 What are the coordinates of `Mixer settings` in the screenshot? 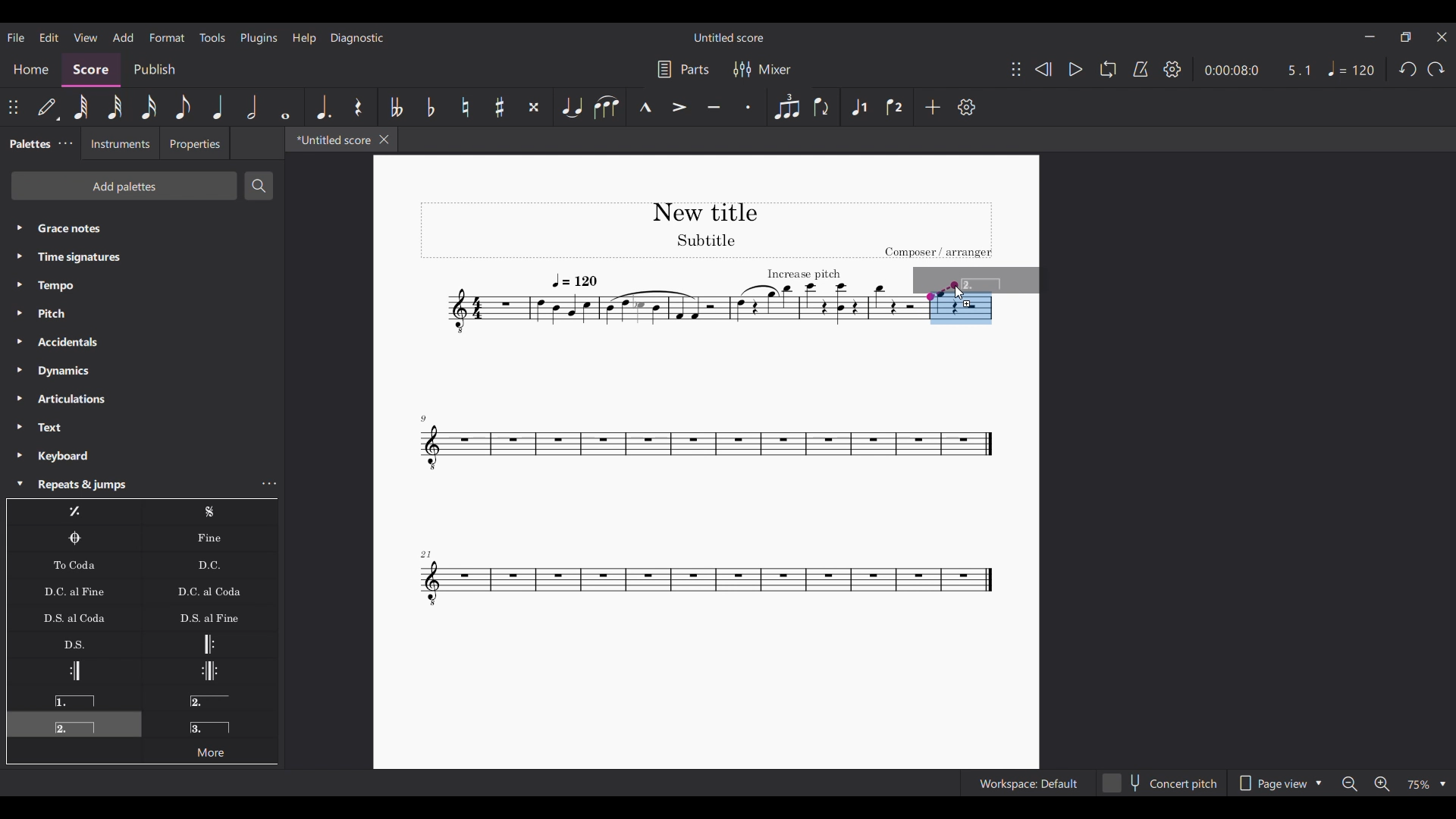 It's located at (763, 69).